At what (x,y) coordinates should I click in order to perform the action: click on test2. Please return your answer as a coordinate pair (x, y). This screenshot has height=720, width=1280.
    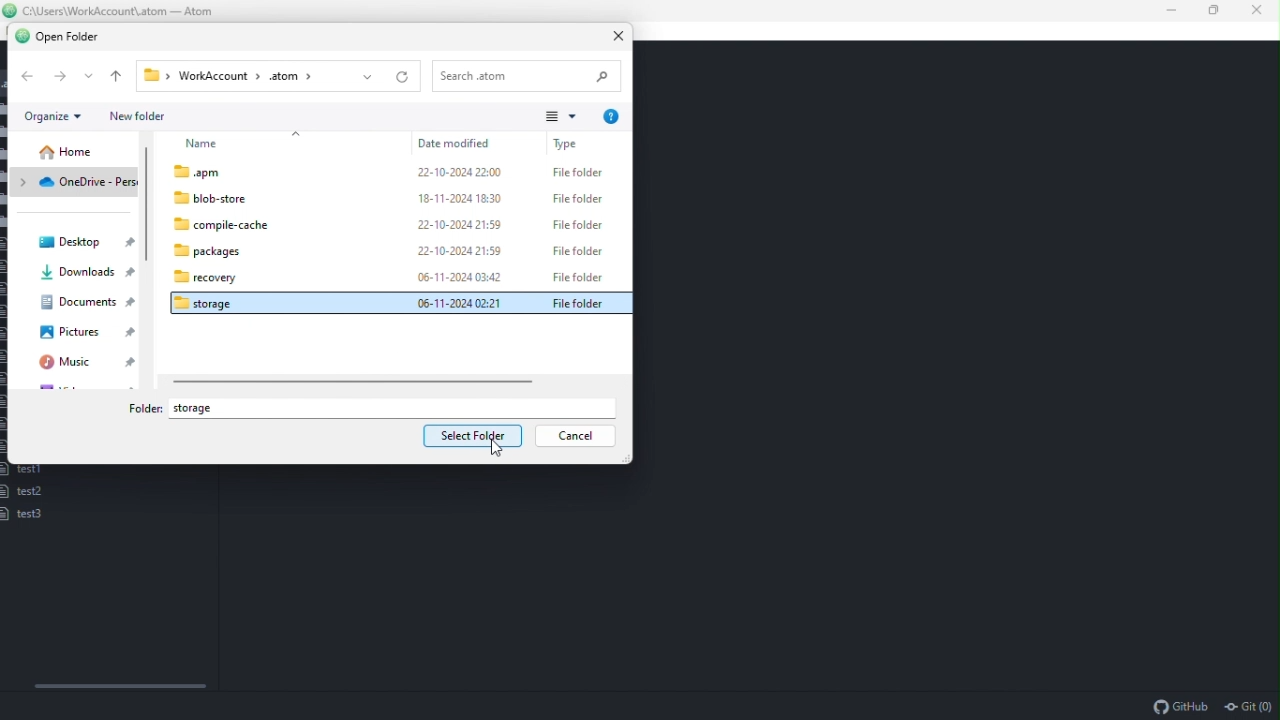
    Looking at the image, I should click on (24, 492).